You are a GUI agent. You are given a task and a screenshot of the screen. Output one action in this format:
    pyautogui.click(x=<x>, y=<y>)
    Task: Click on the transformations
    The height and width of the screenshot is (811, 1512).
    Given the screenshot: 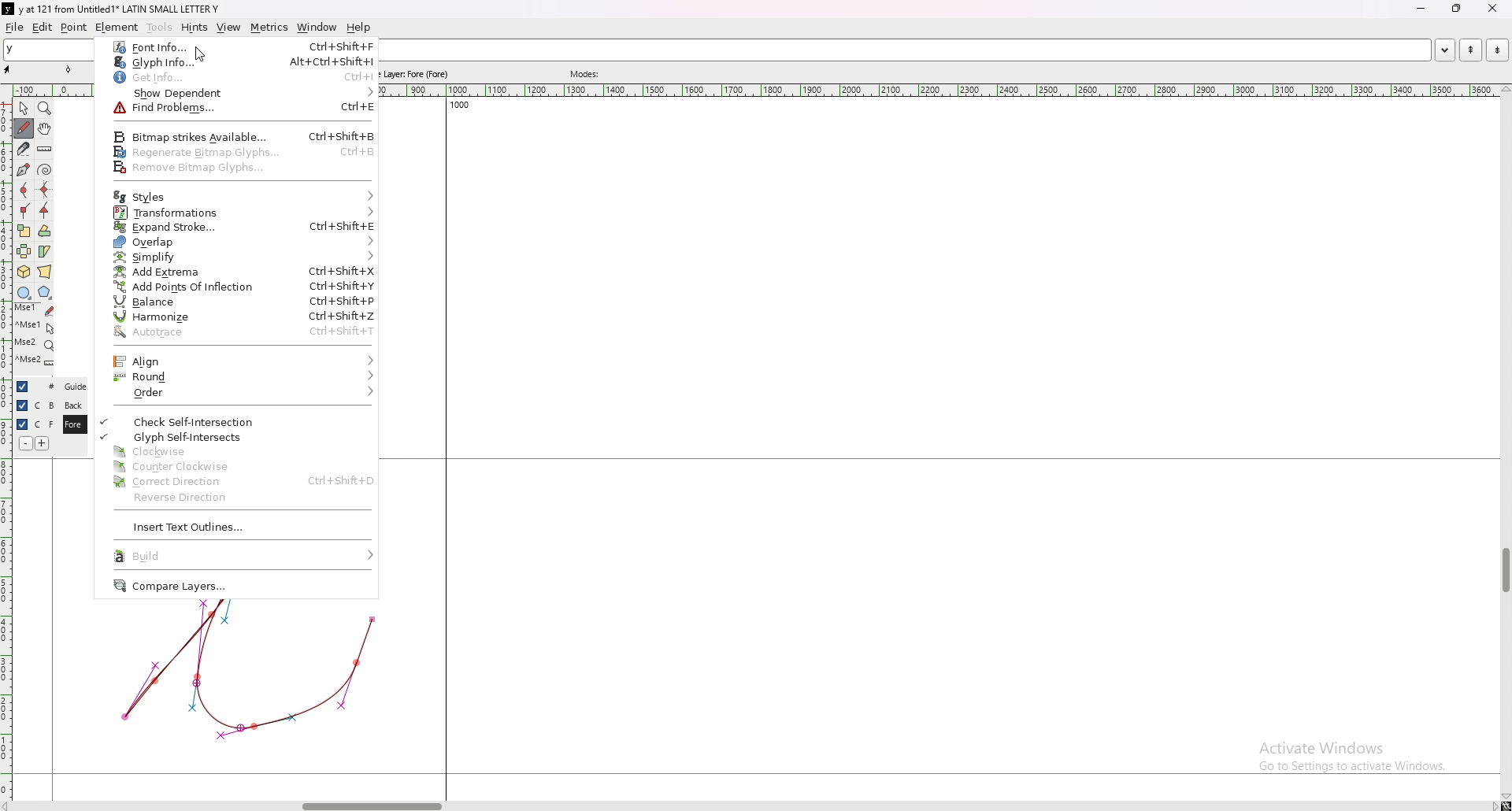 What is the action you would take?
    pyautogui.click(x=237, y=212)
    